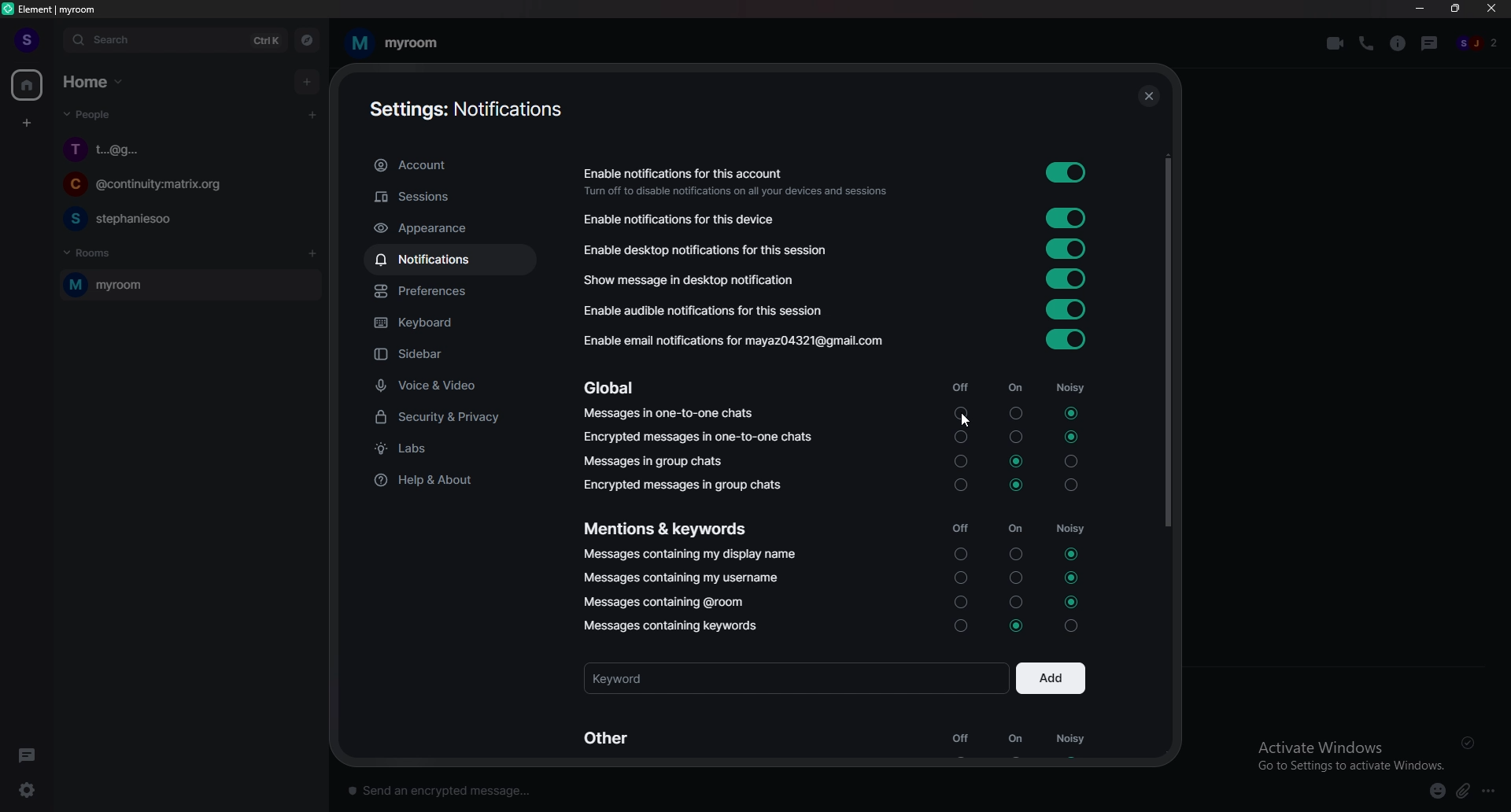 The height and width of the screenshot is (812, 1511). Describe the element at coordinates (784, 788) in the screenshot. I see `text input` at that location.